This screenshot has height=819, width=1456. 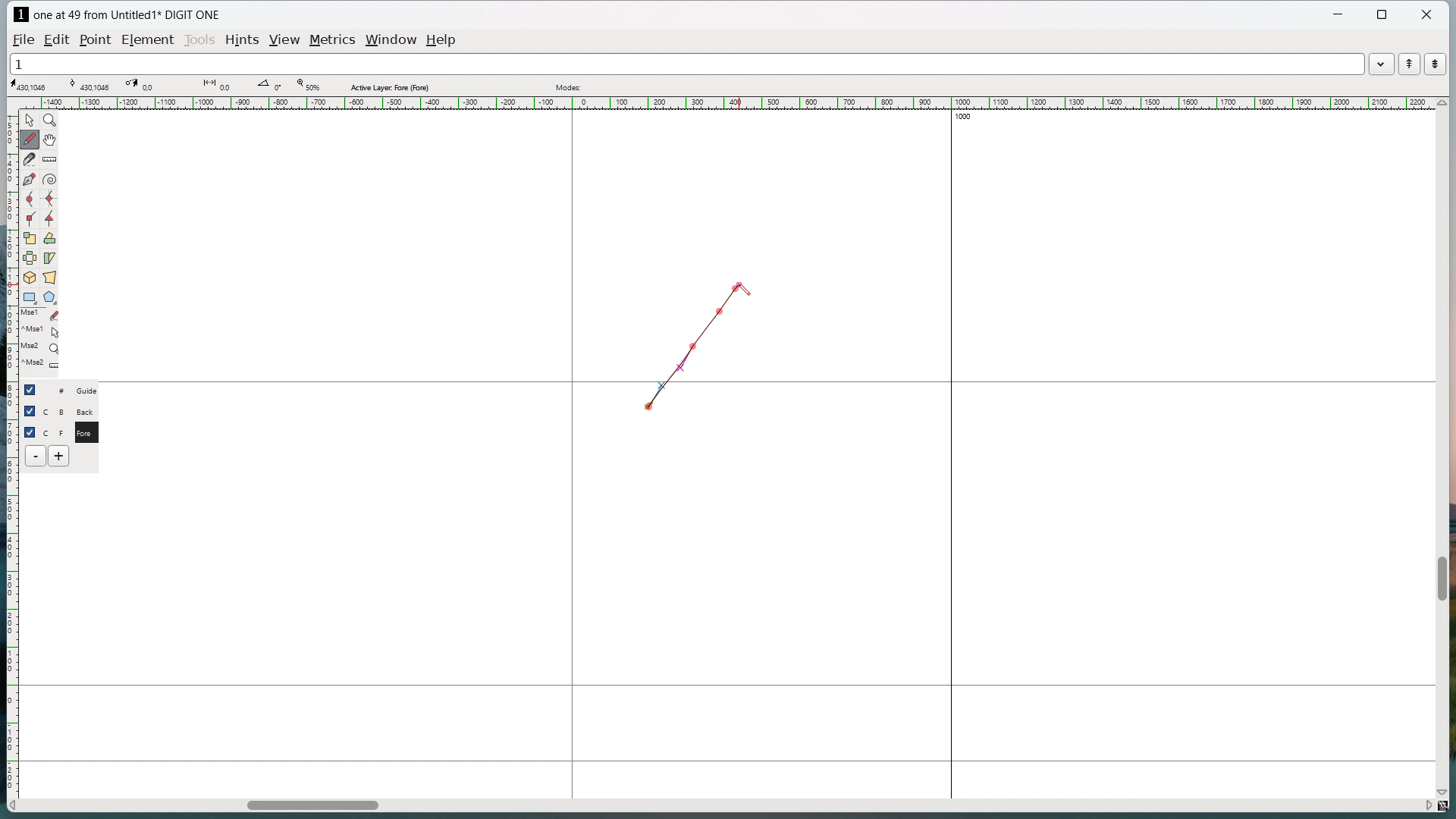 What do you see at coordinates (1436, 64) in the screenshot?
I see `show the next word in the word list` at bounding box center [1436, 64].